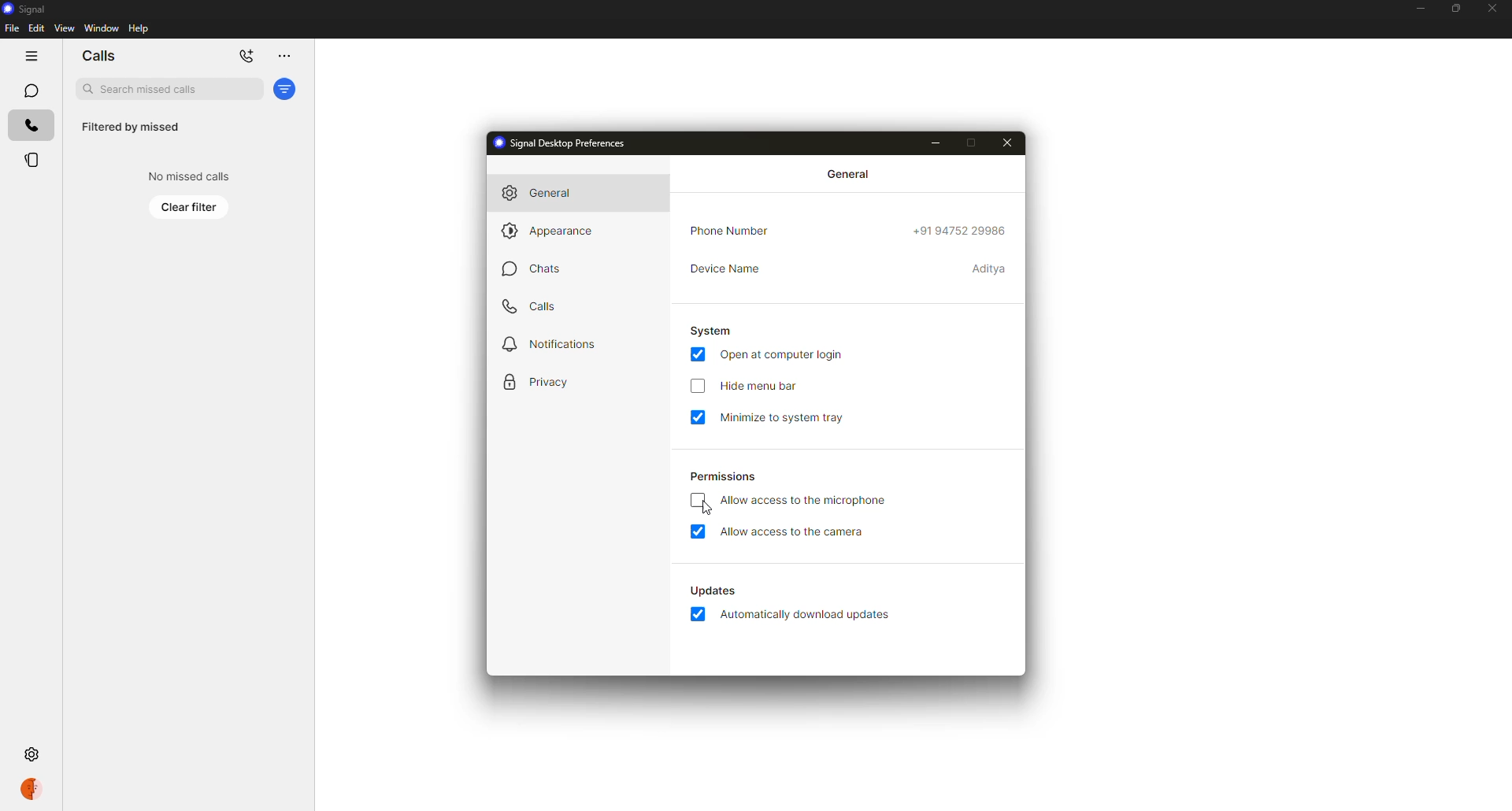 Image resolution: width=1512 pixels, height=811 pixels. I want to click on filter, so click(285, 90).